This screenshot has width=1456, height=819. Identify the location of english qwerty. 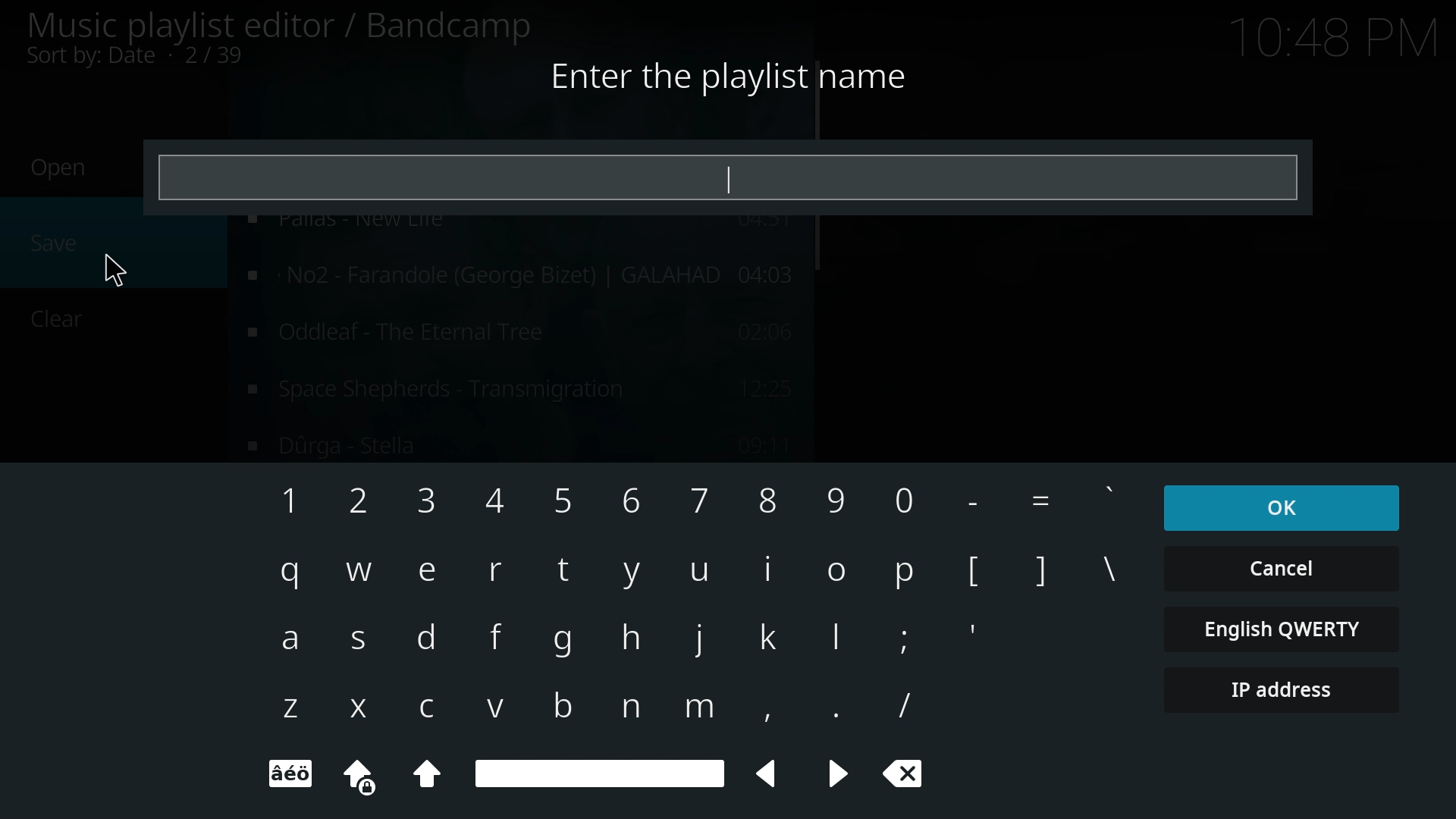
(1285, 629).